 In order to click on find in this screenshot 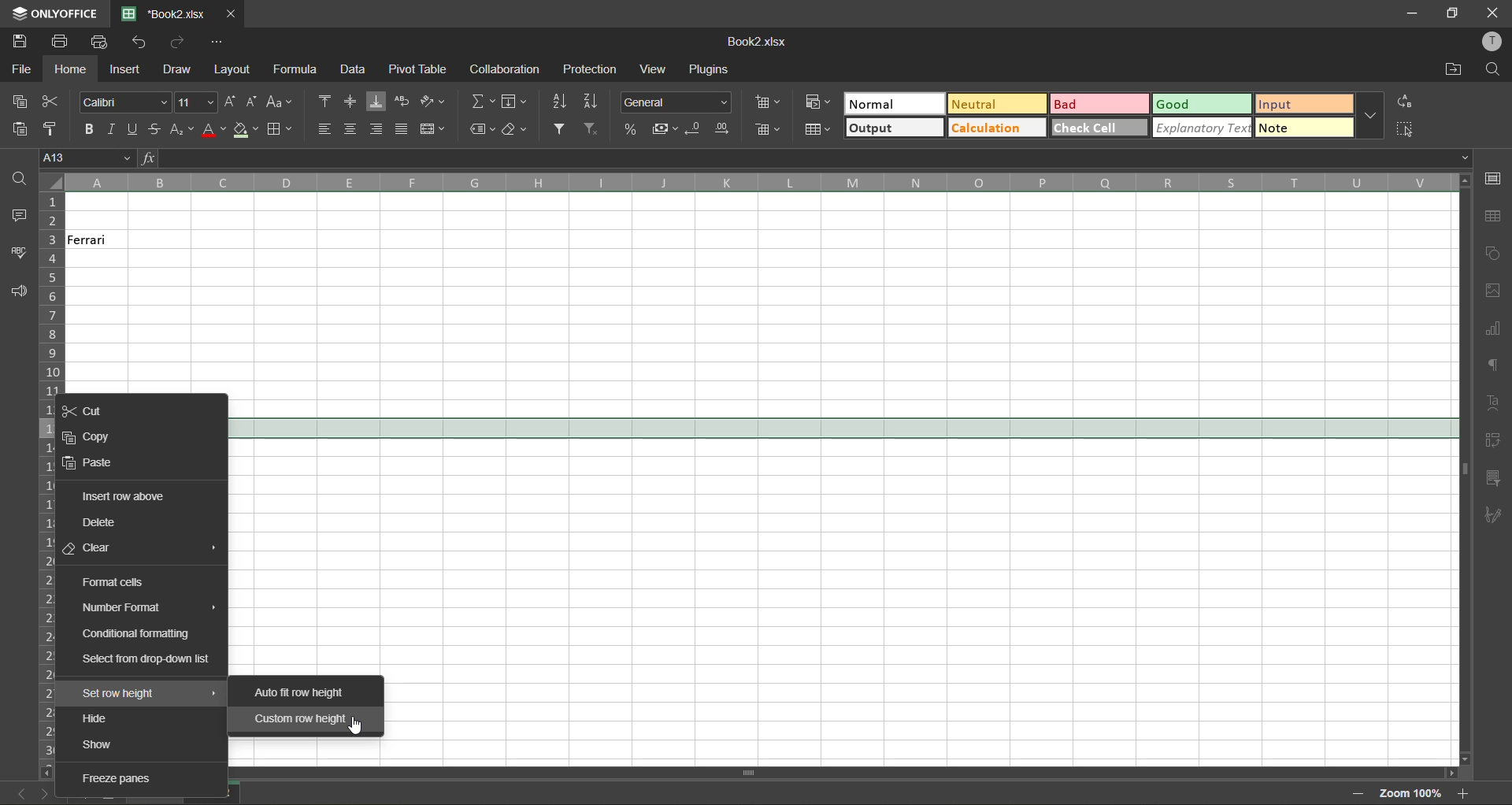, I will do `click(1495, 70)`.